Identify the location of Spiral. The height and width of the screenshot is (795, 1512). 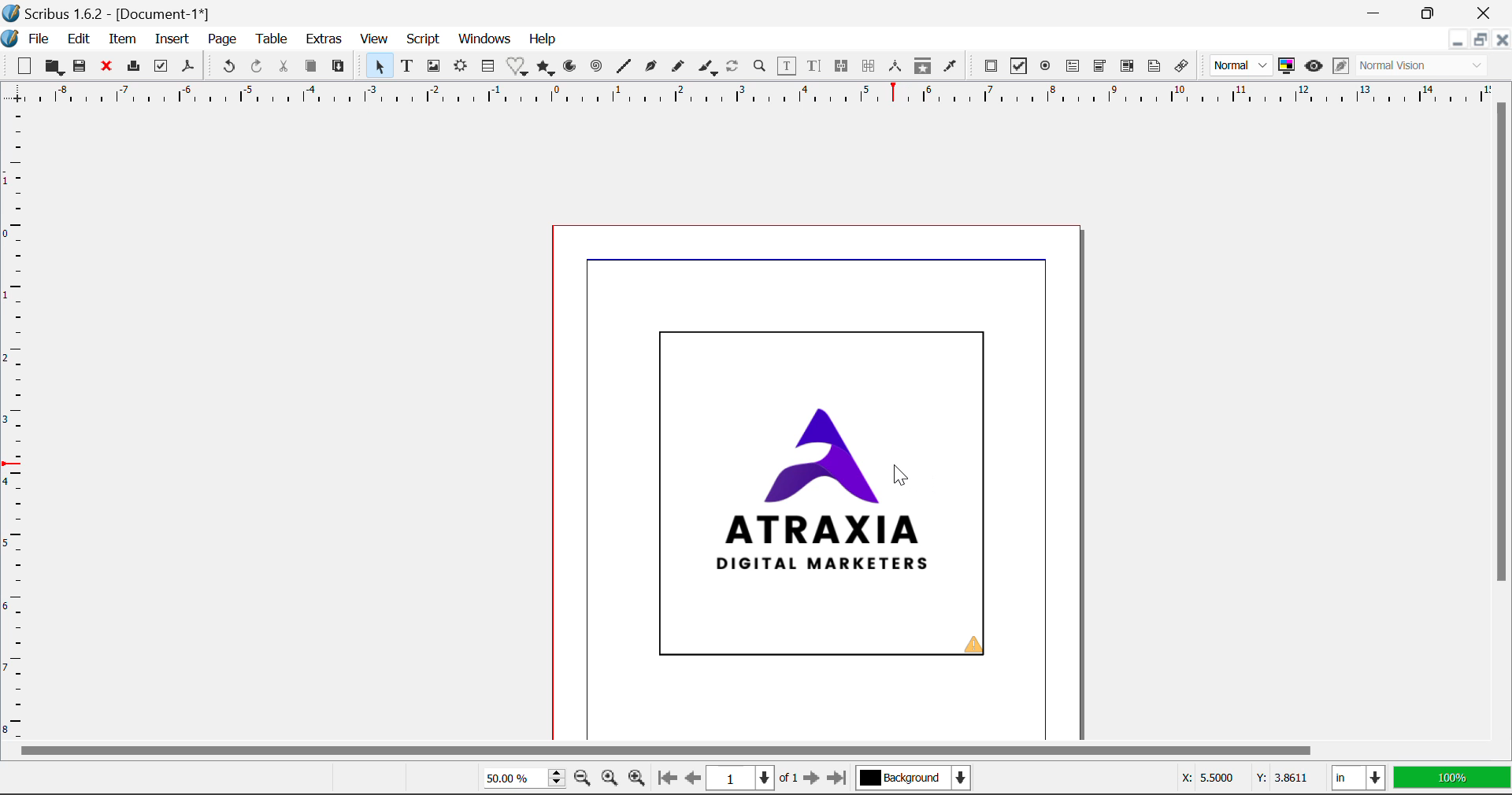
(598, 69).